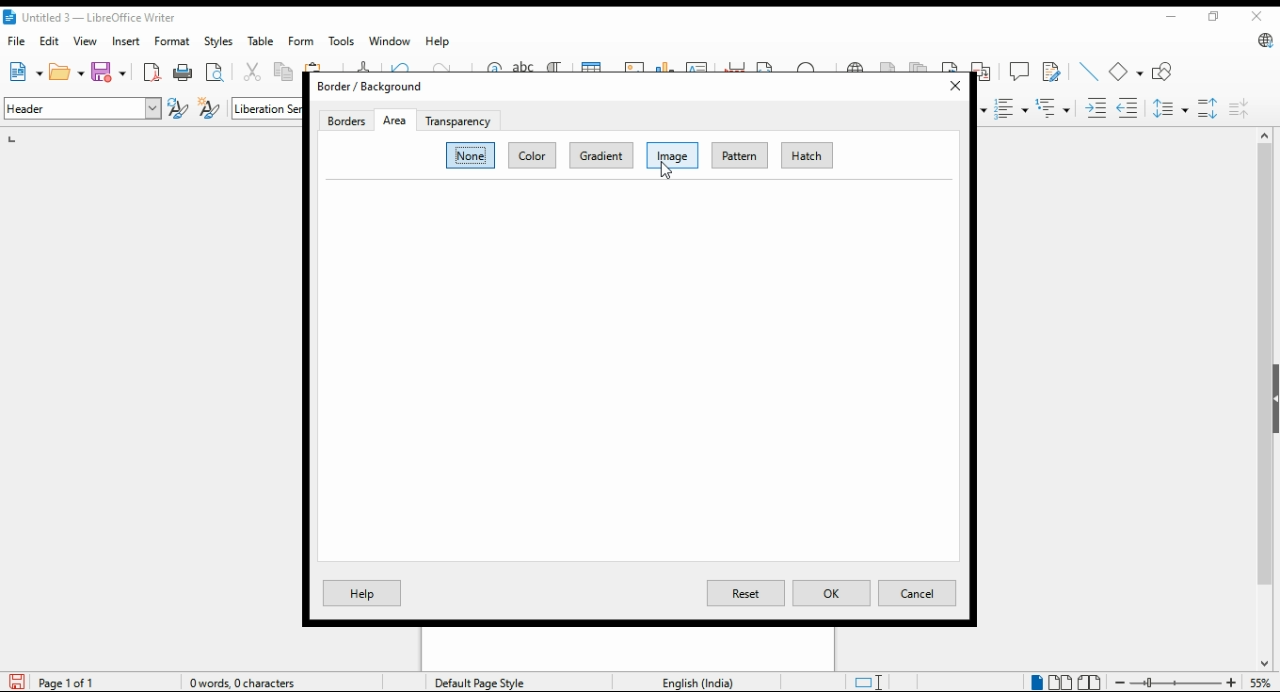 Image resolution: width=1280 pixels, height=692 pixels. Describe the element at coordinates (526, 65) in the screenshot. I see `check spelling` at that location.